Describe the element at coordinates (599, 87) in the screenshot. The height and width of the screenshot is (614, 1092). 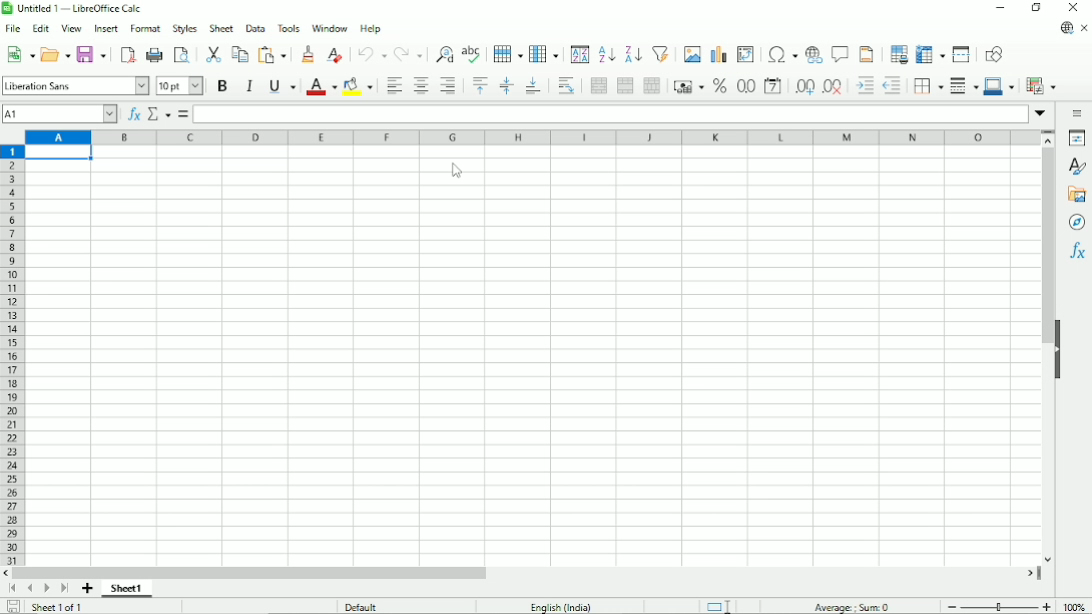
I see `Merge and center` at that location.